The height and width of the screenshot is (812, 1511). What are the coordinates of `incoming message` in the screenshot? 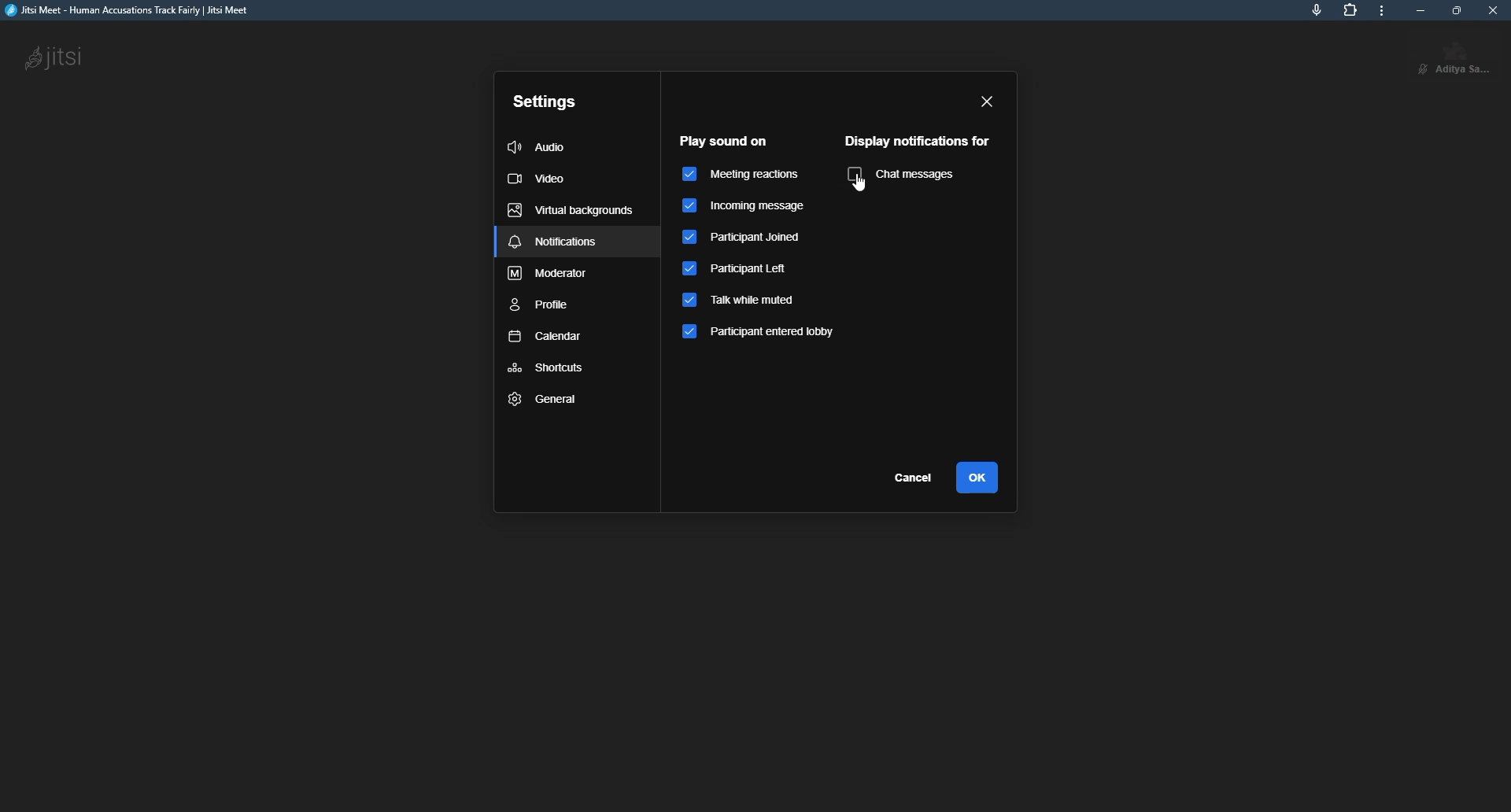 It's located at (753, 206).